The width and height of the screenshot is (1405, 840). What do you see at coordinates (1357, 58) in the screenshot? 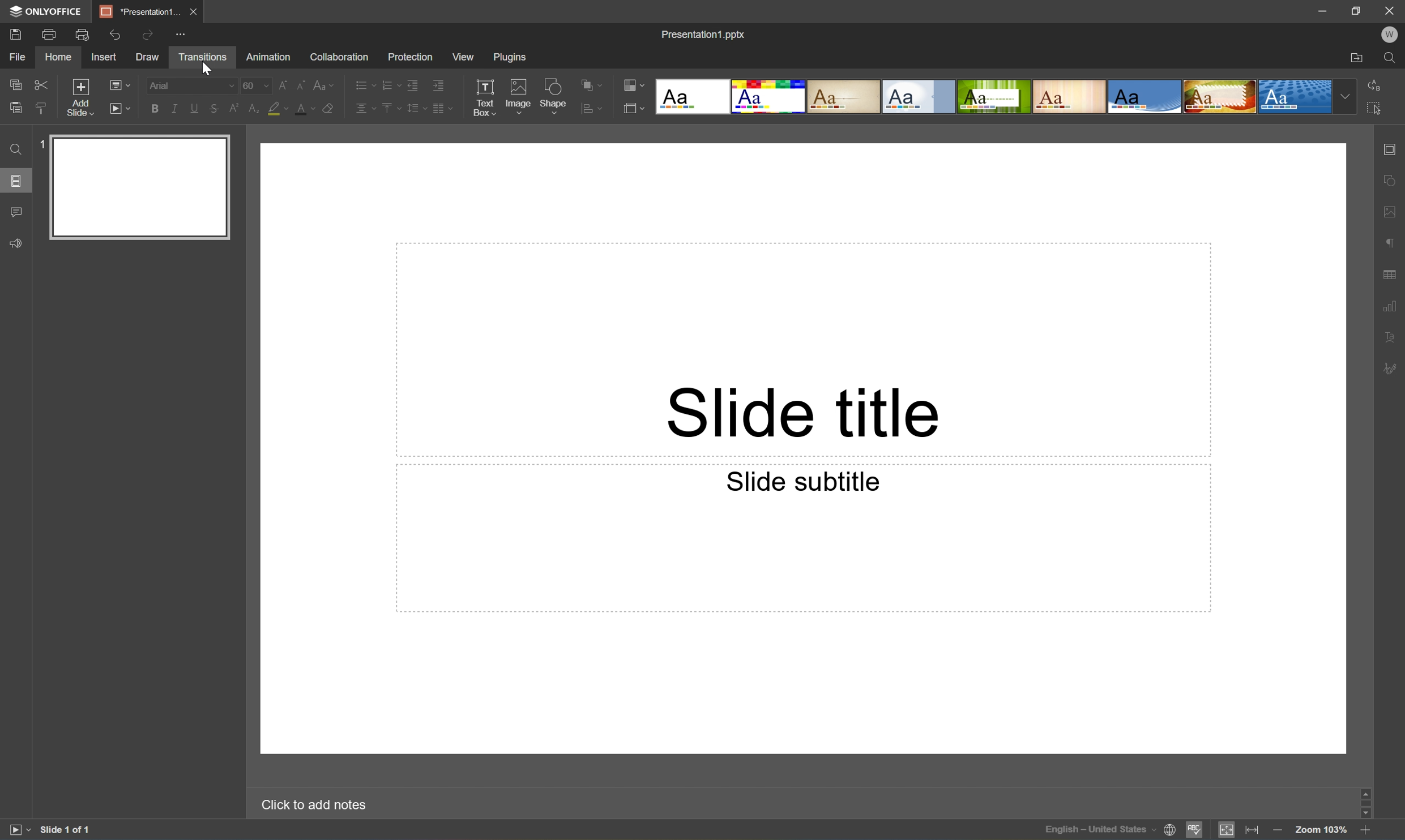
I see `Open file location` at bounding box center [1357, 58].